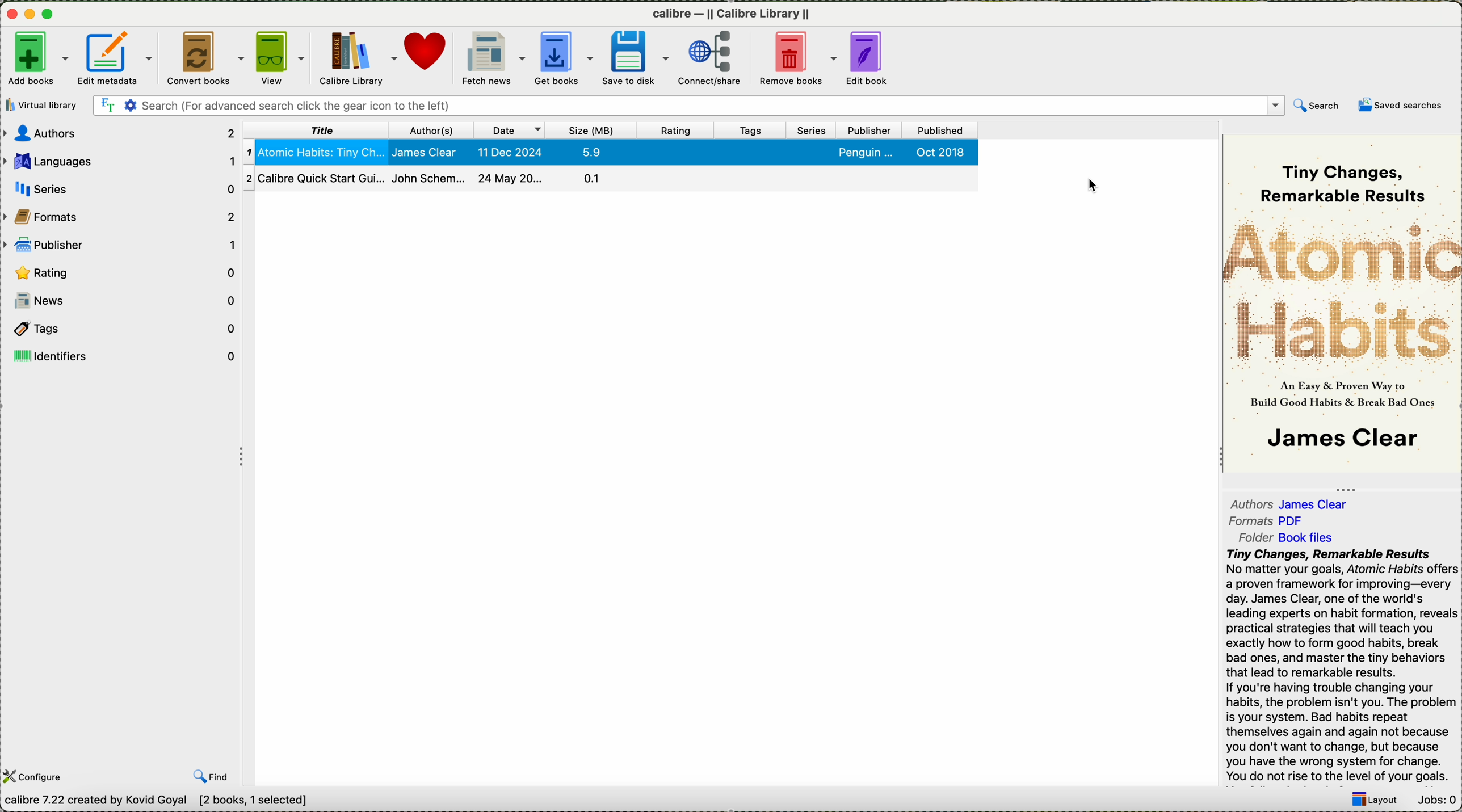 This screenshot has width=1462, height=812. I want to click on saved searches, so click(1400, 107).